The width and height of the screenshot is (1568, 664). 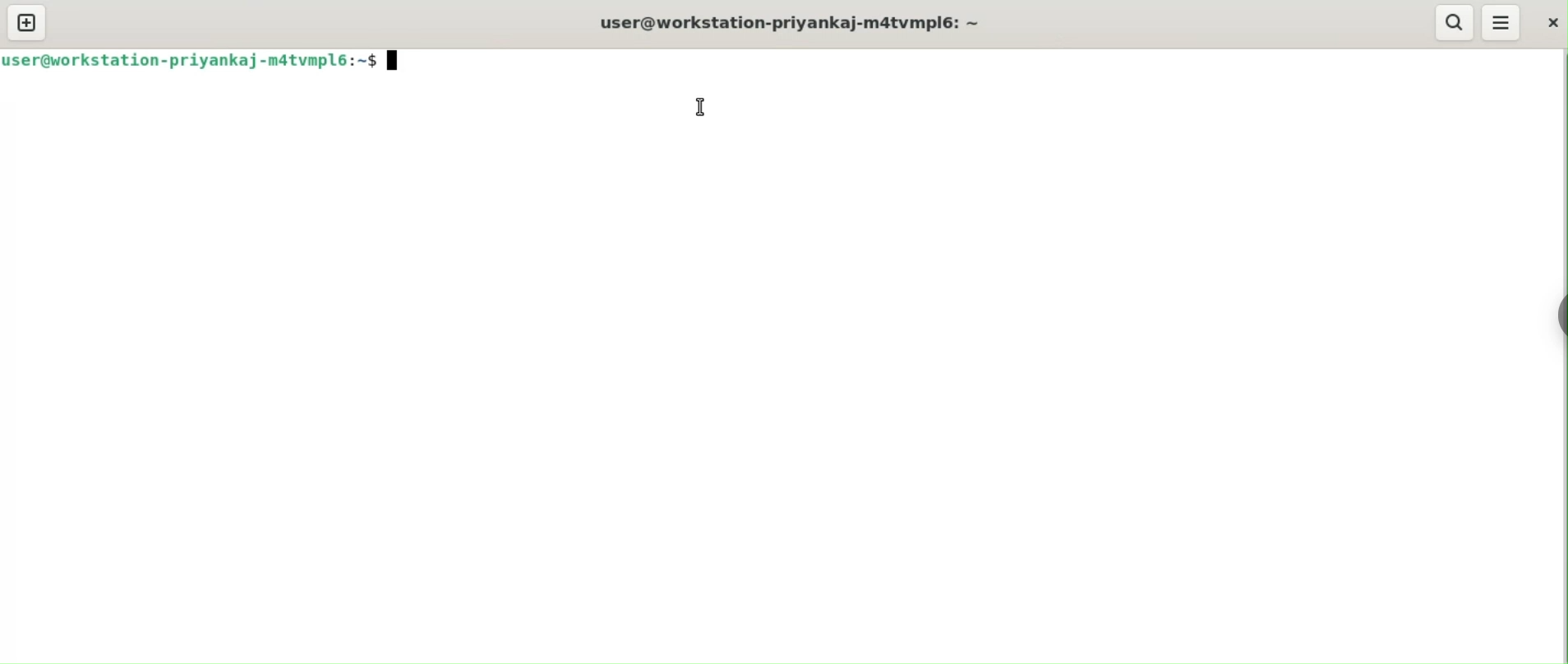 What do you see at coordinates (1502, 22) in the screenshot?
I see `menu` at bounding box center [1502, 22].